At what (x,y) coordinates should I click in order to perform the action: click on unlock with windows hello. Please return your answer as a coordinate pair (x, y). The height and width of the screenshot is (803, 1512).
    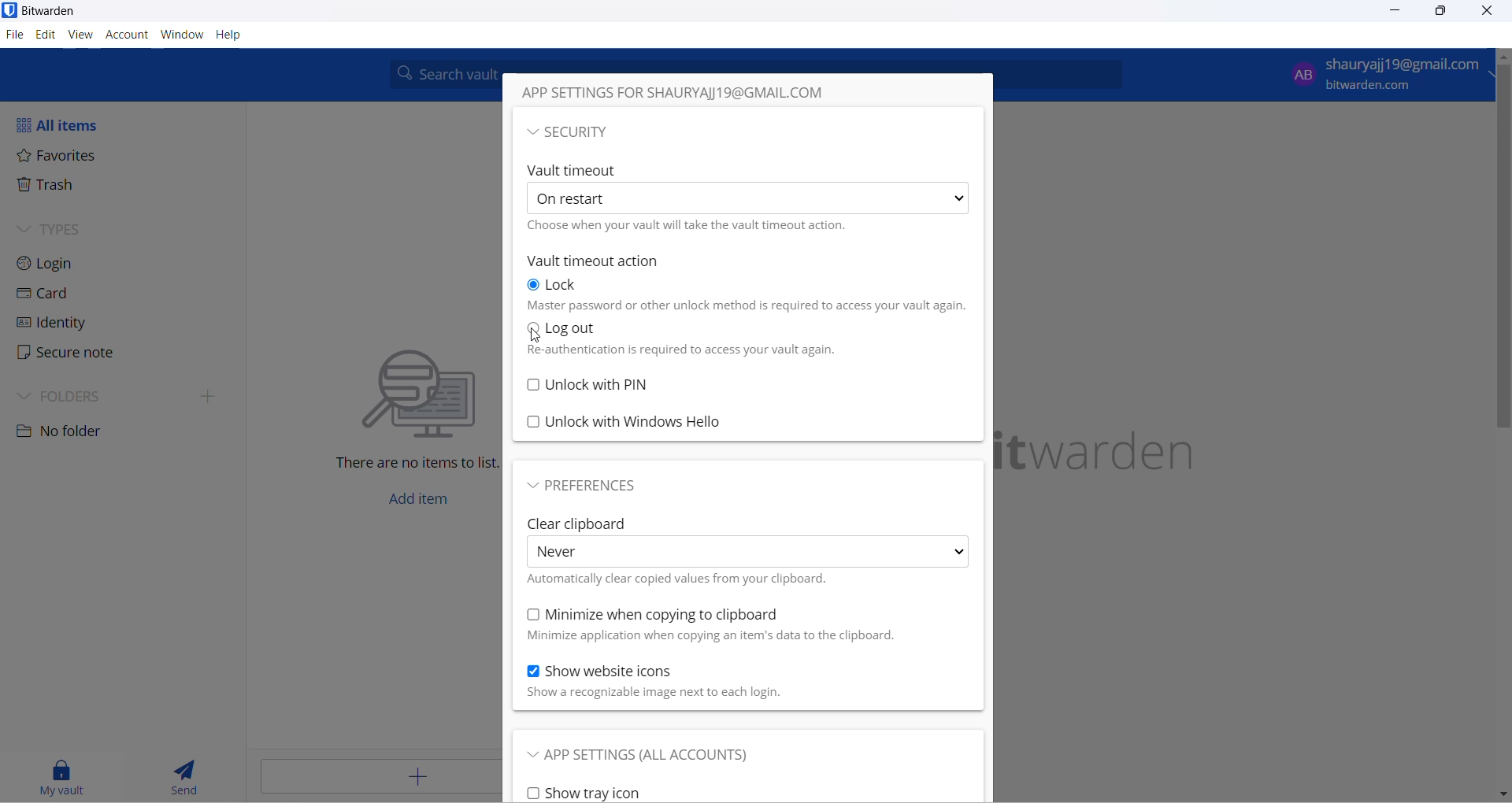
    Looking at the image, I should click on (740, 417).